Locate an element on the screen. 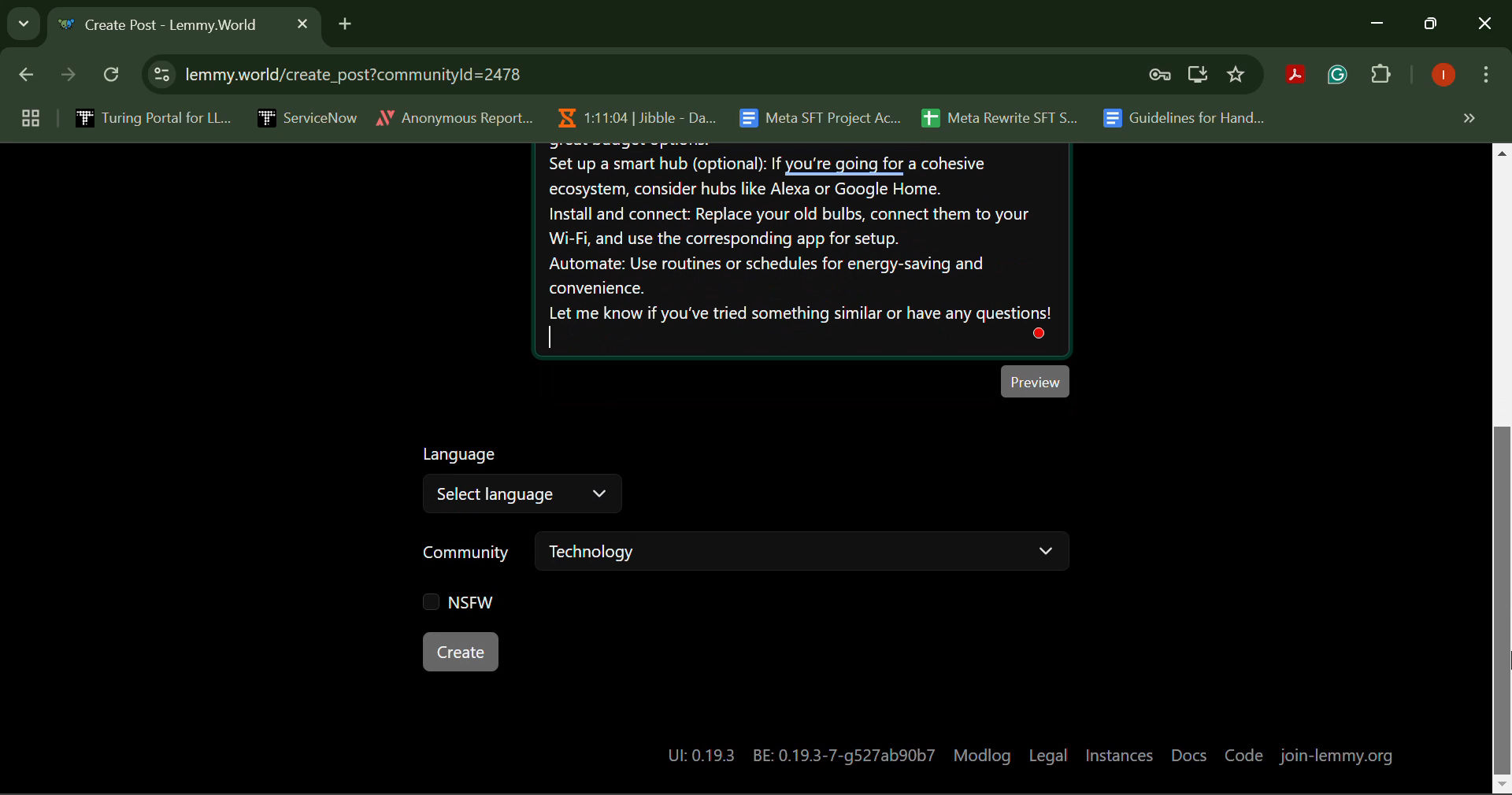 The height and width of the screenshot is (795, 1512). Webpage Heading is located at coordinates (167, 27).